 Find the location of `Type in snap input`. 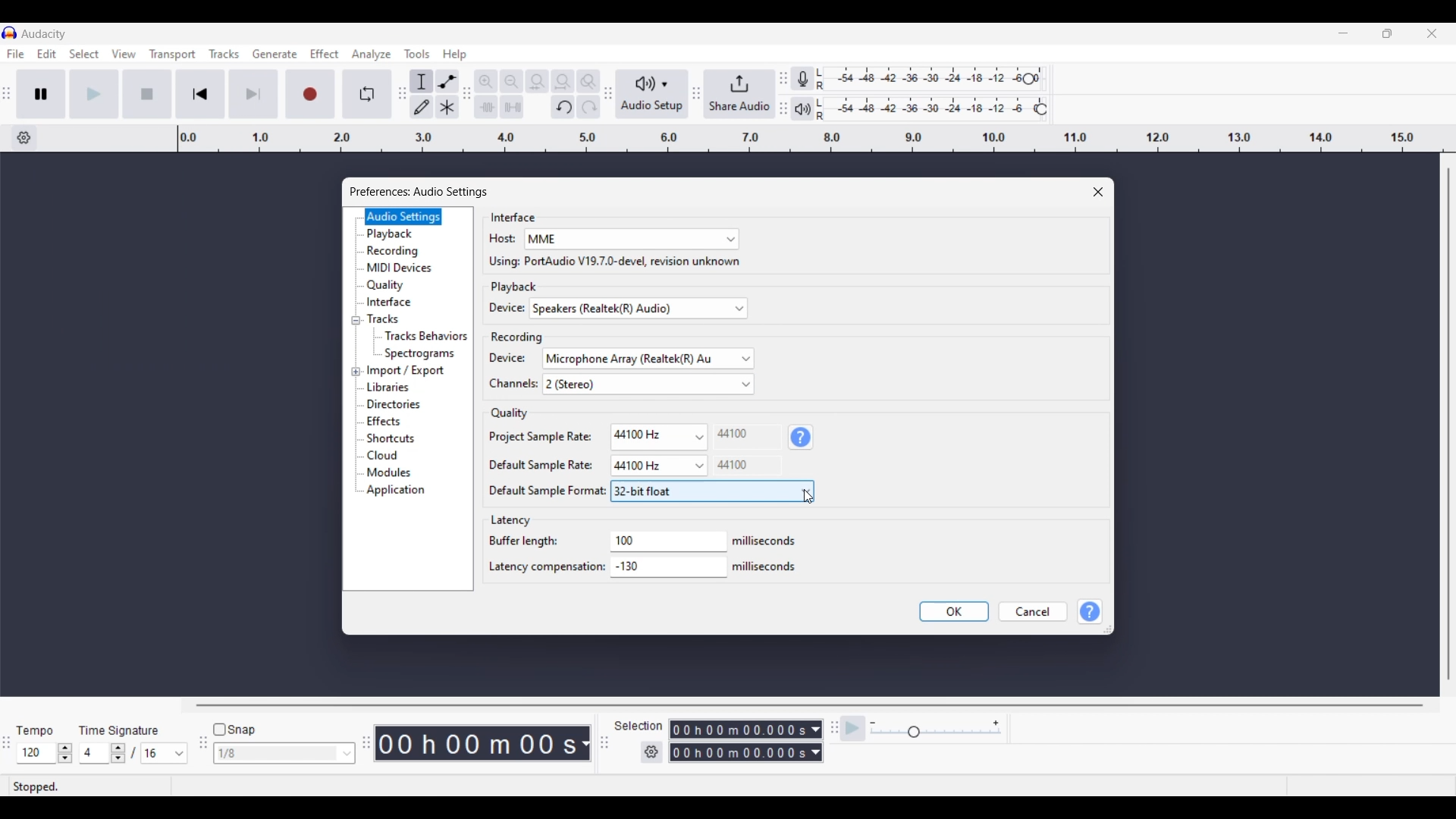

Type in snap input is located at coordinates (277, 754).